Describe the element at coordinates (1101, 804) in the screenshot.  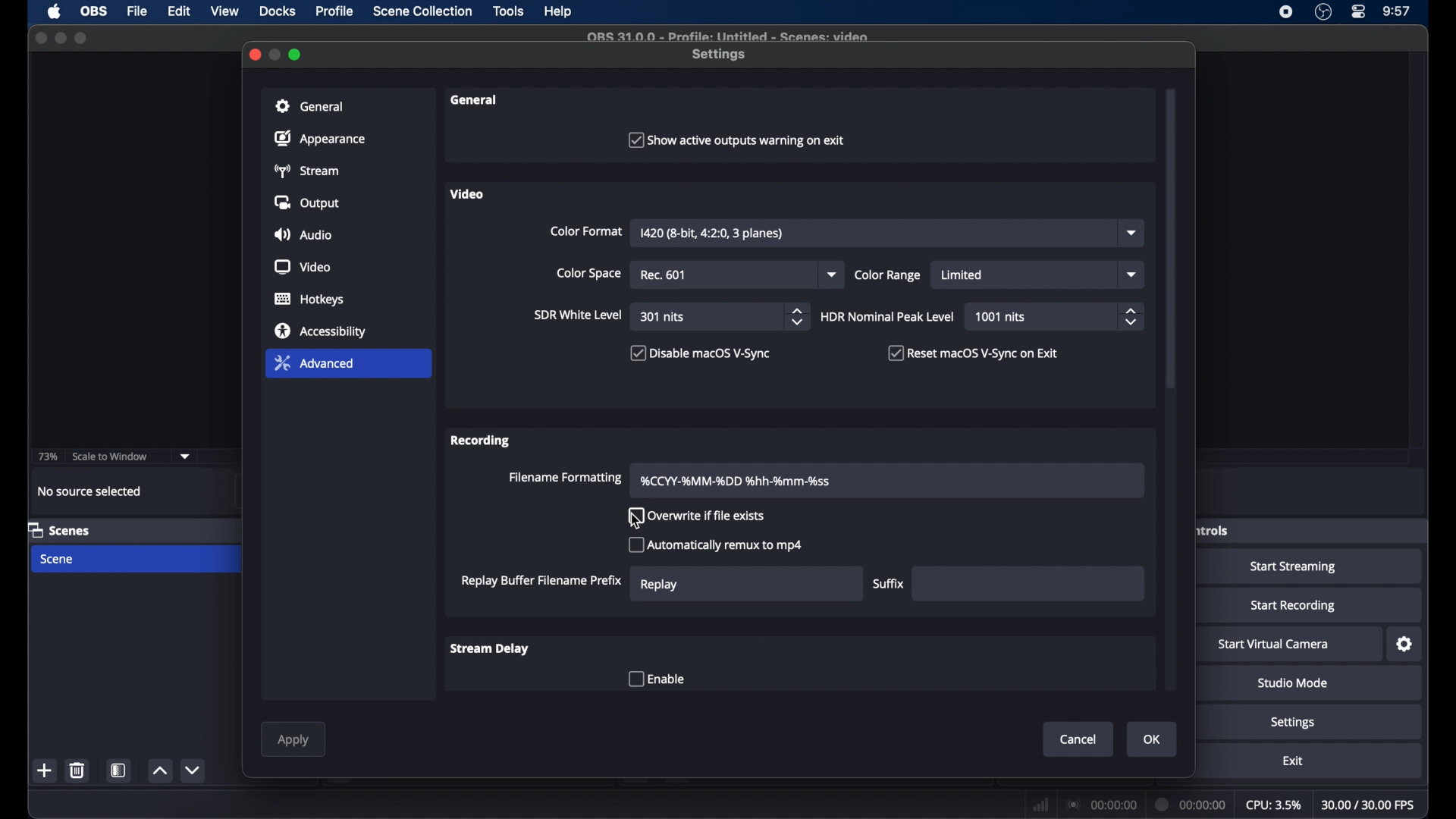
I see `connection` at that location.